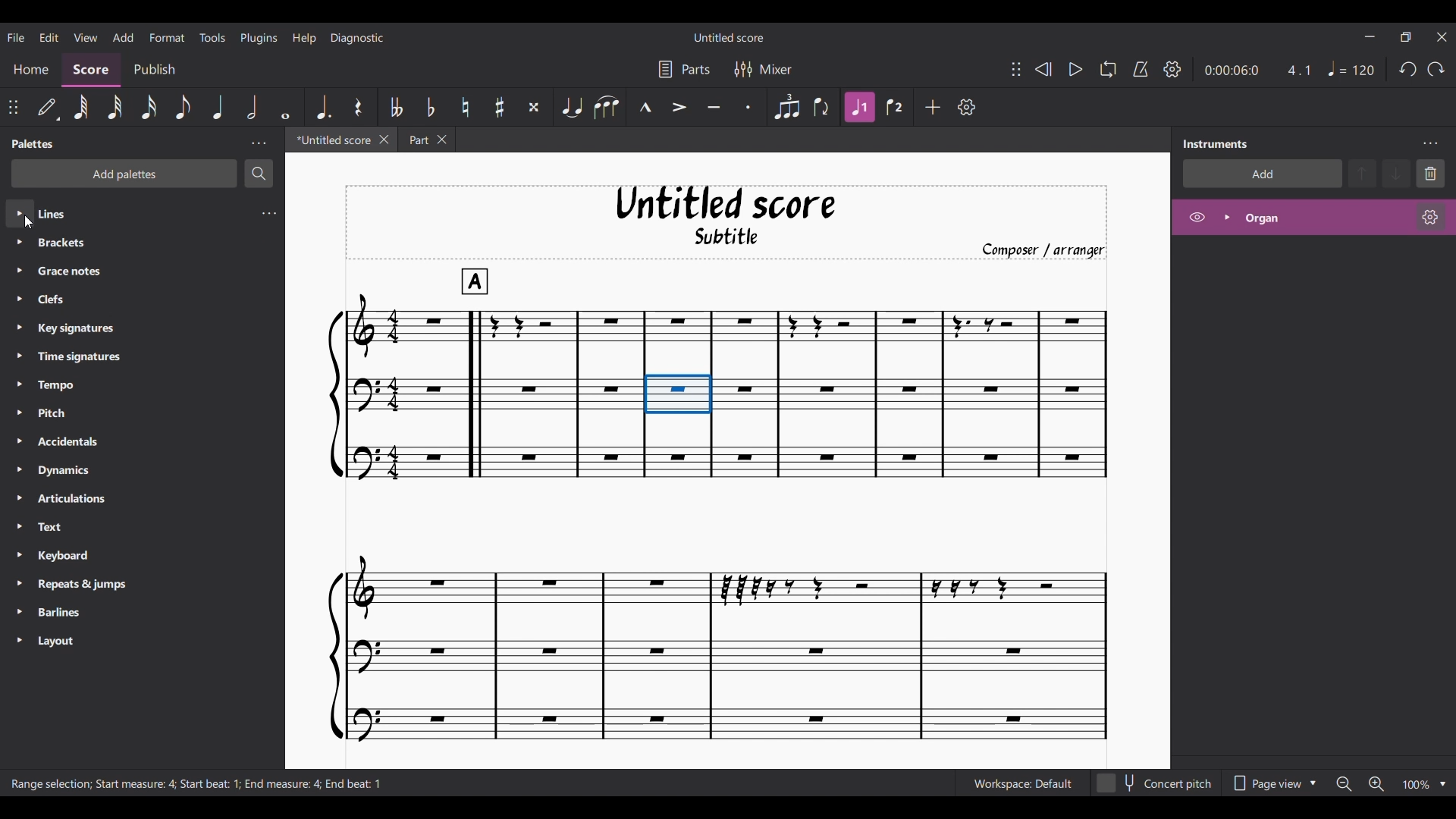 The image size is (1456, 819). What do you see at coordinates (252, 107) in the screenshot?
I see `Half note` at bounding box center [252, 107].